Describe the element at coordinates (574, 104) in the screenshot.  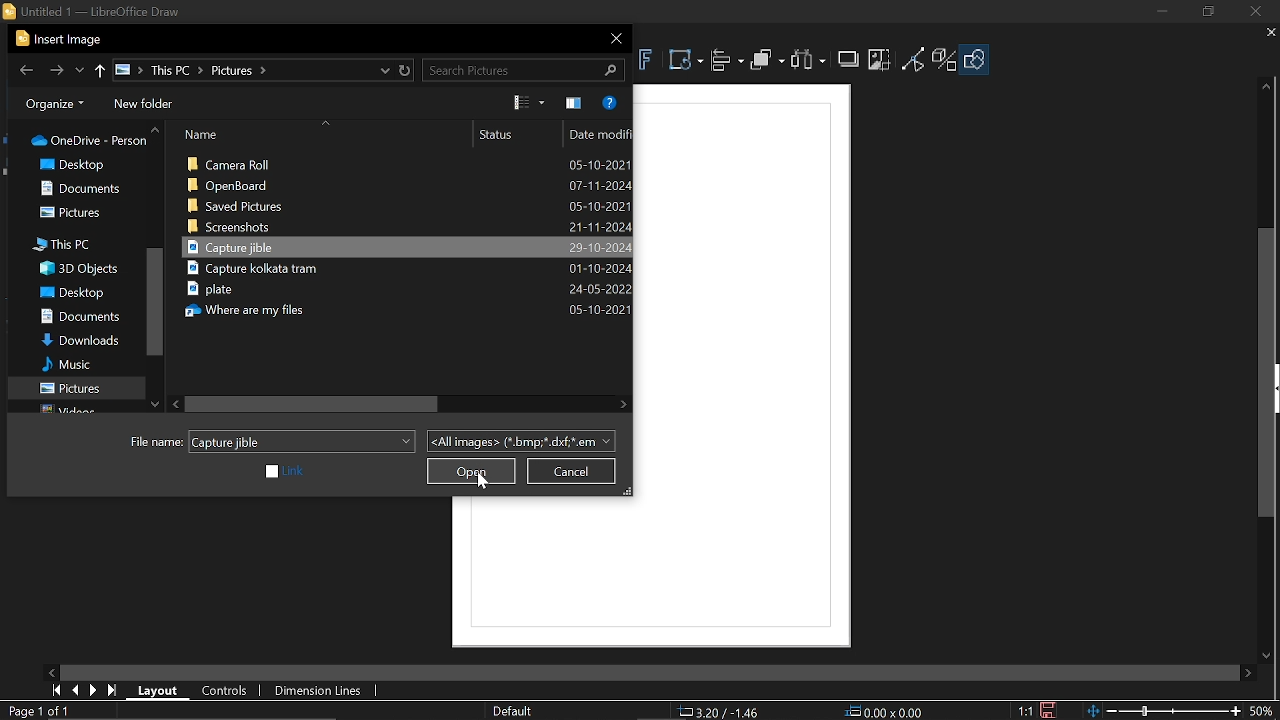
I see `Show the preview pane` at that location.